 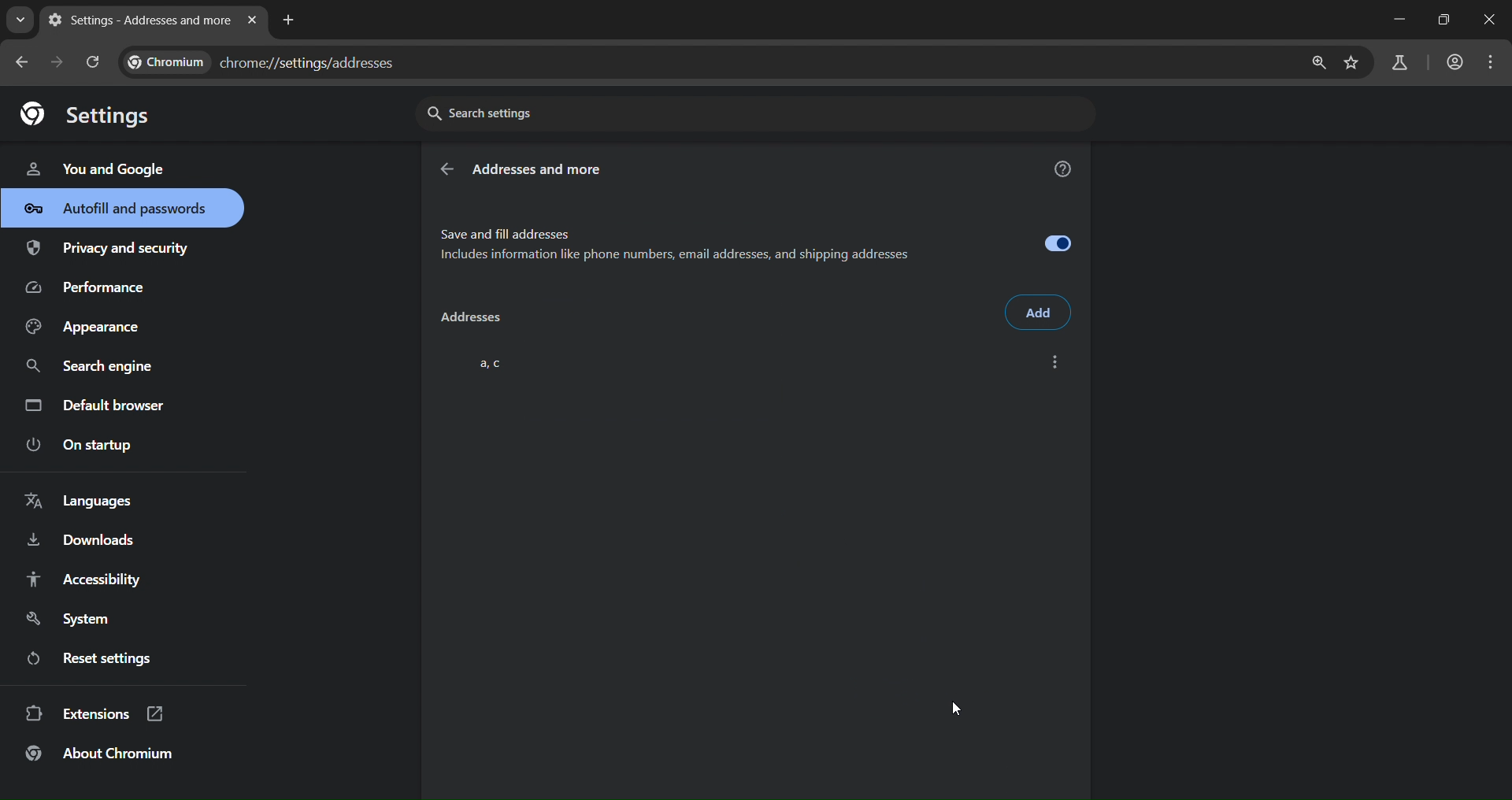 I want to click on you and google , so click(x=94, y=167).